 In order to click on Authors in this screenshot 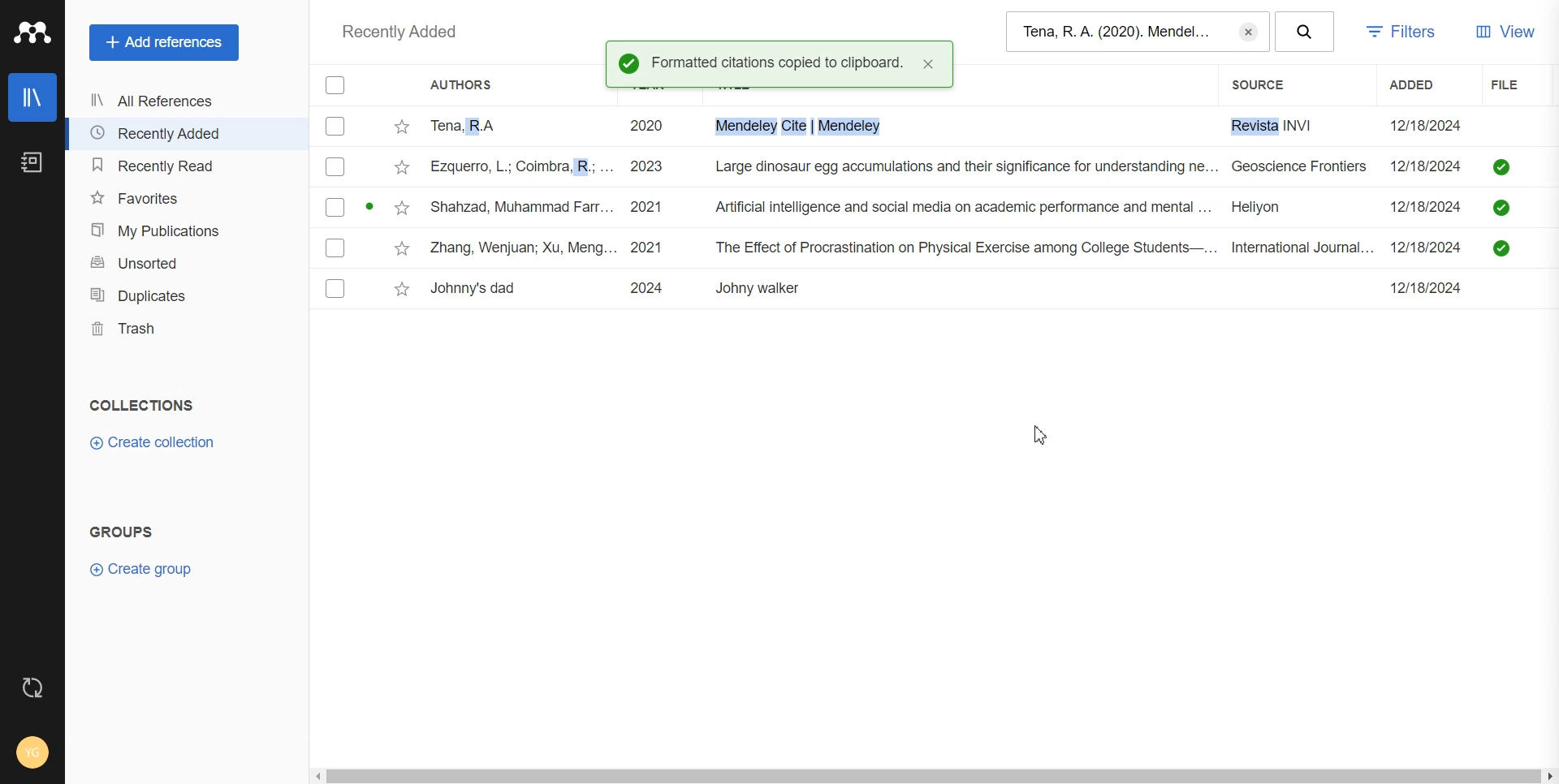, I will do `click(460, 84)`.